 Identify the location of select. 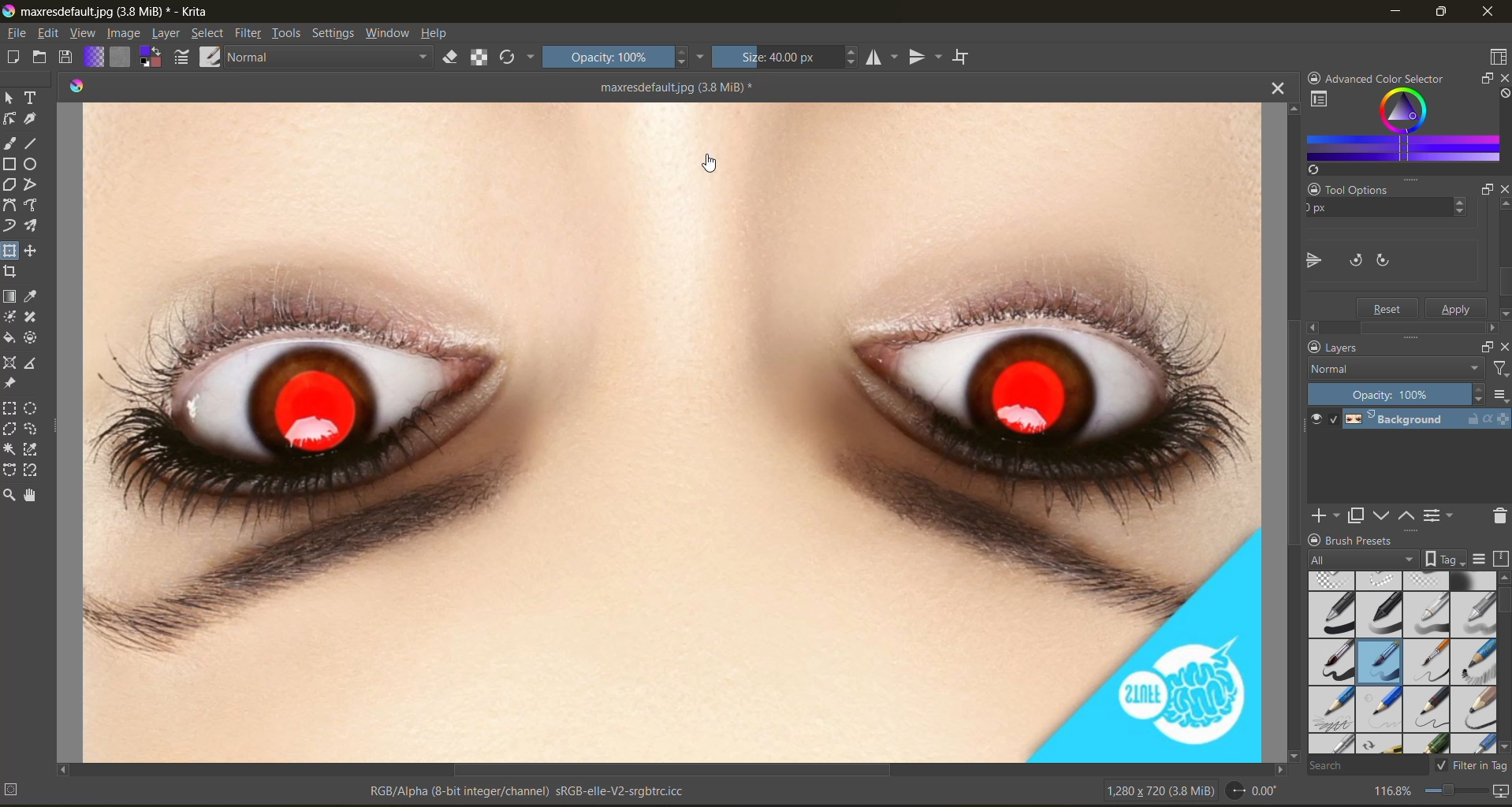
(209, 33).